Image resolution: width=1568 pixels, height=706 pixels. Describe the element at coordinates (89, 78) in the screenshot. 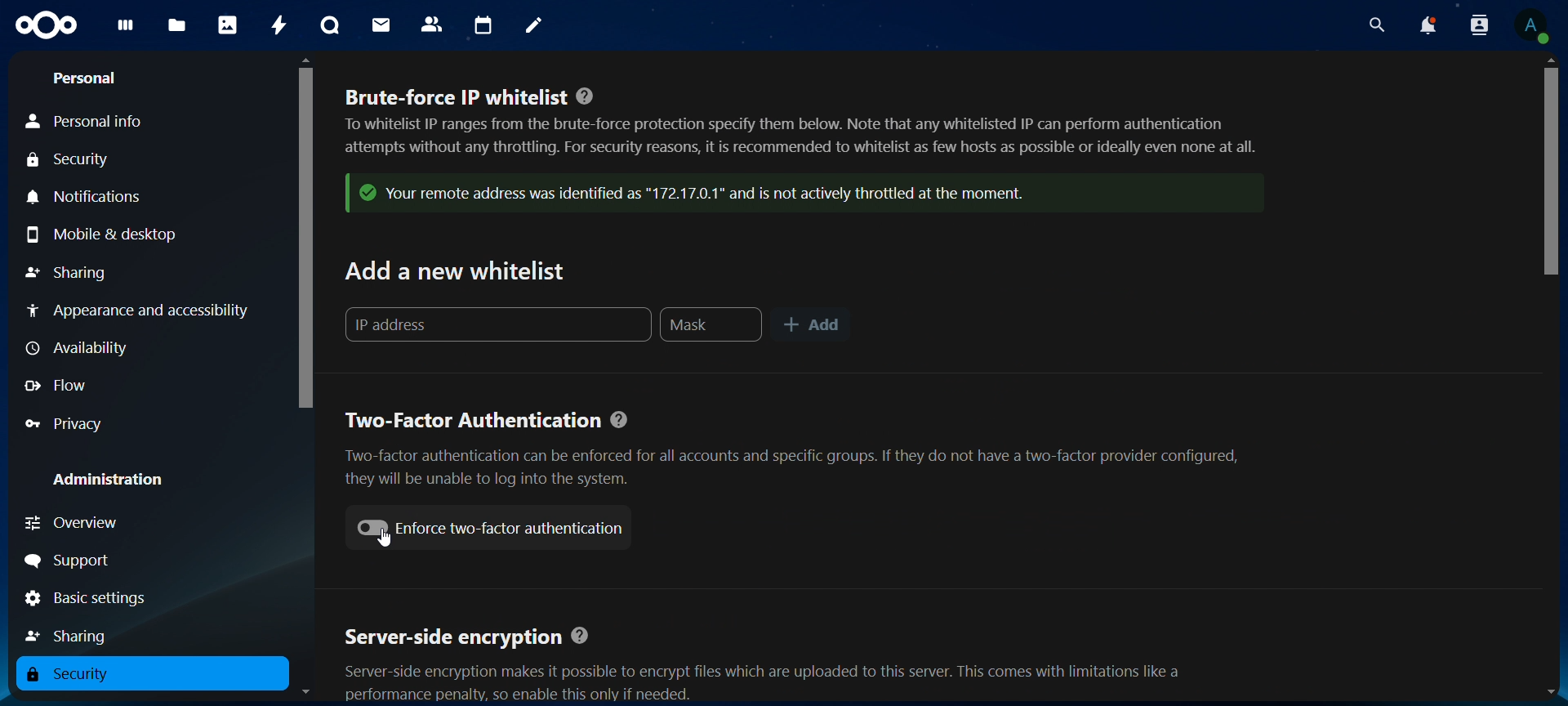

I see `personal` at that location.